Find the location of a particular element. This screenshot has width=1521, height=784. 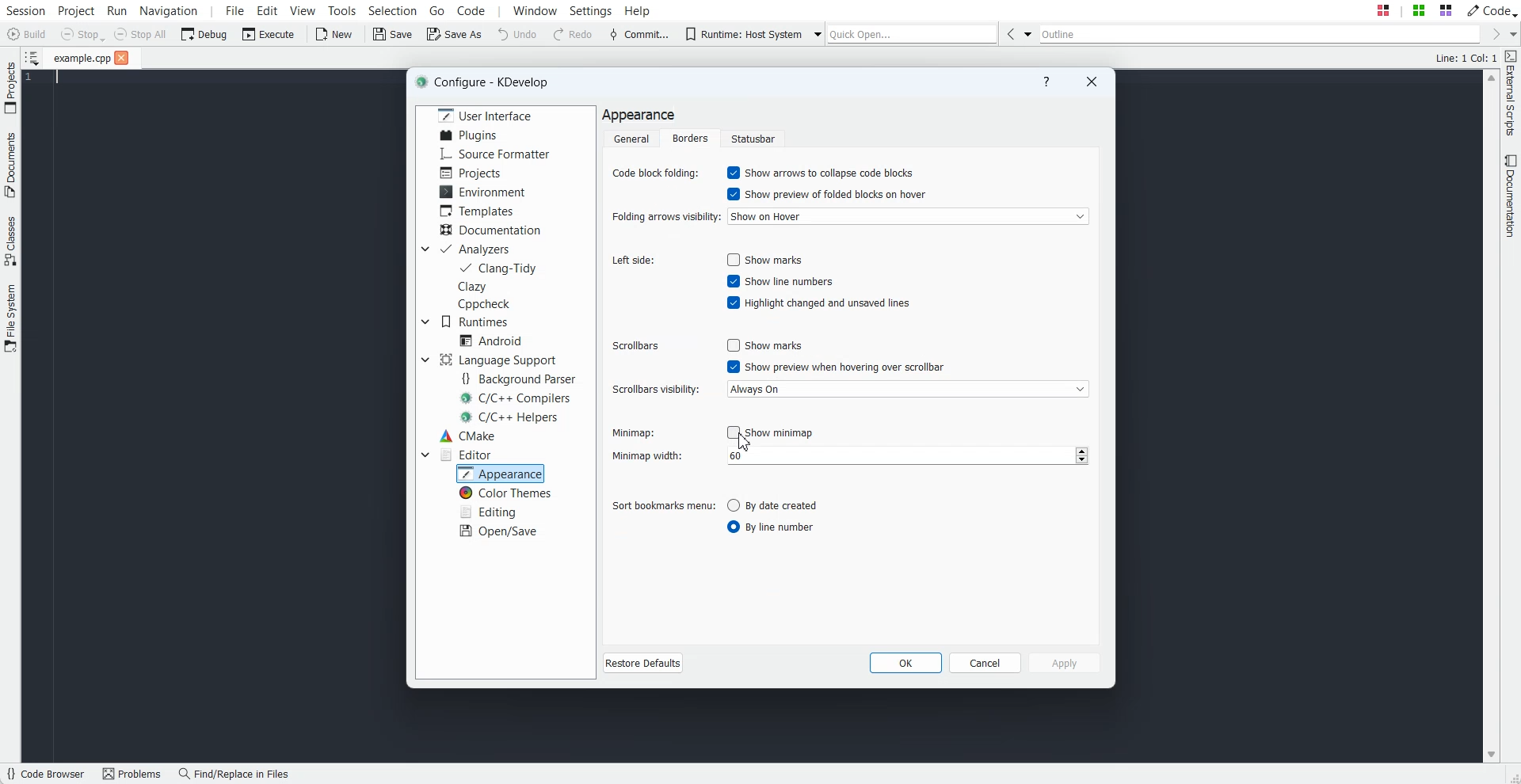

Code Block folding is located at coordinates (656, 172).